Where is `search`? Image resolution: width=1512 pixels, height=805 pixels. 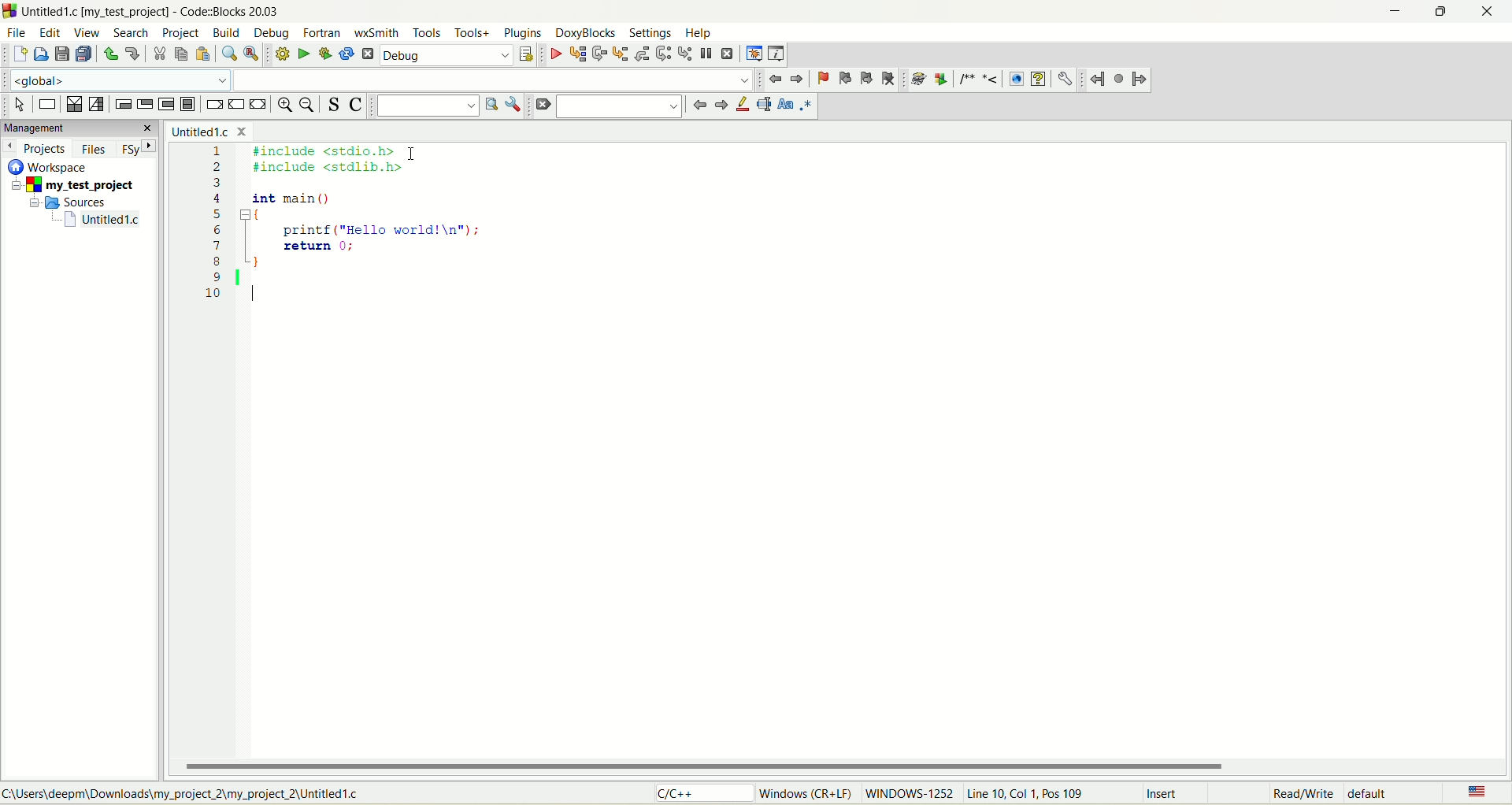 search is located at coordinates (128, 33).